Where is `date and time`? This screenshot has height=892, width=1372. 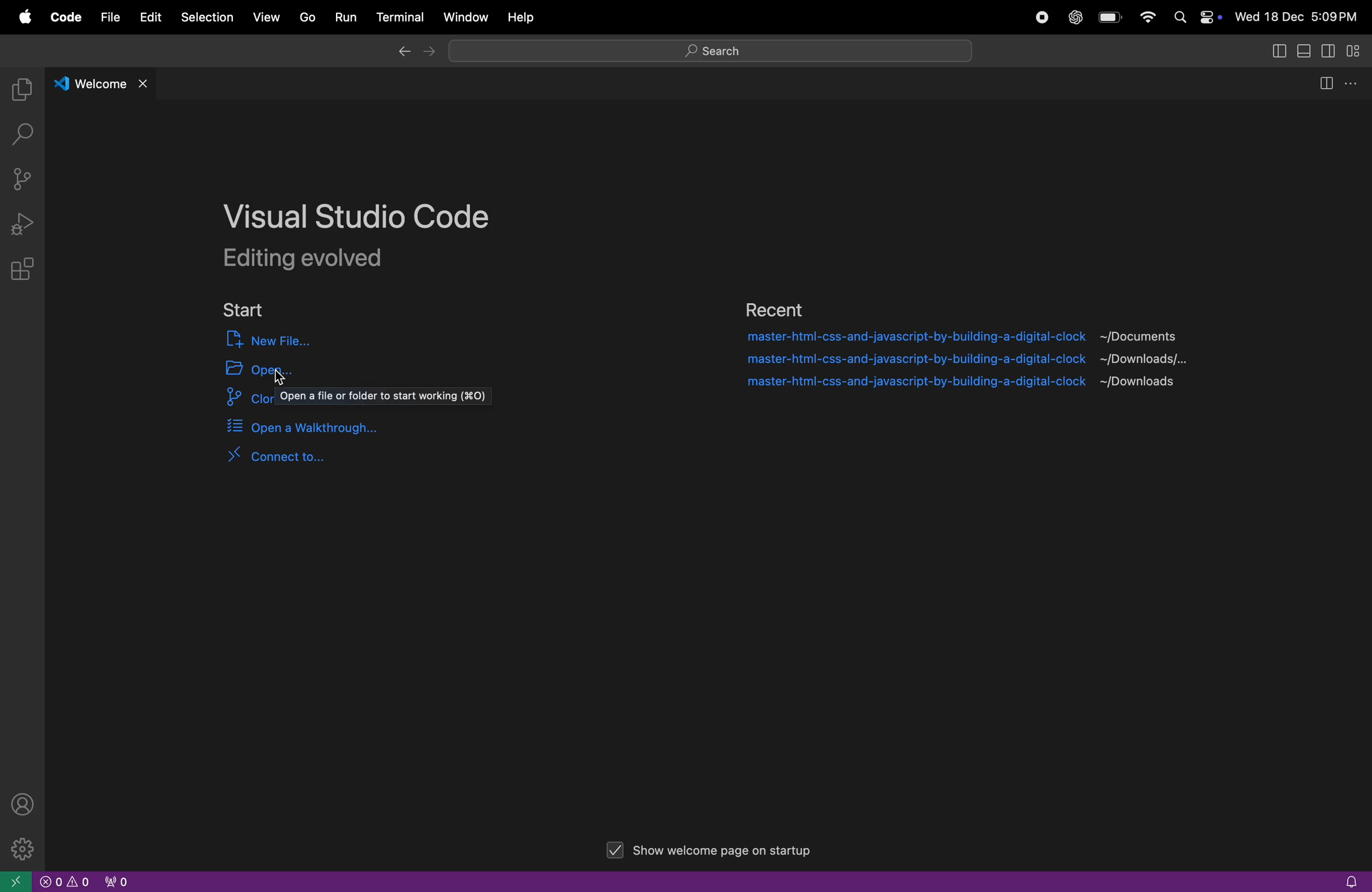 date and time is located at coordinates (1297, 18).